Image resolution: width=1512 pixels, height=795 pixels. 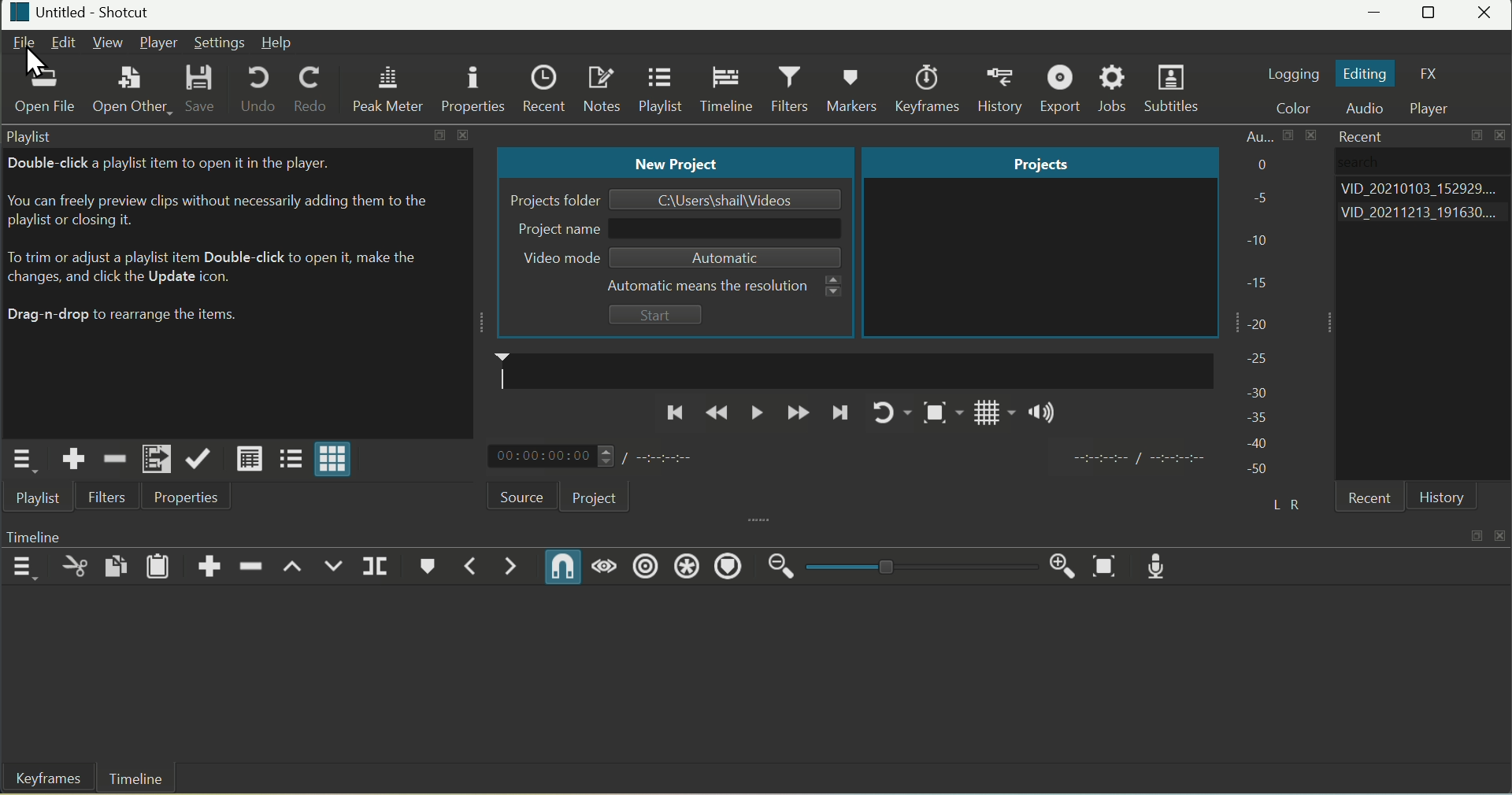 What do you see at coordinates (547, 457) in the screenshot?
I see `00:00:00:00` at bounding box center [547, 457].